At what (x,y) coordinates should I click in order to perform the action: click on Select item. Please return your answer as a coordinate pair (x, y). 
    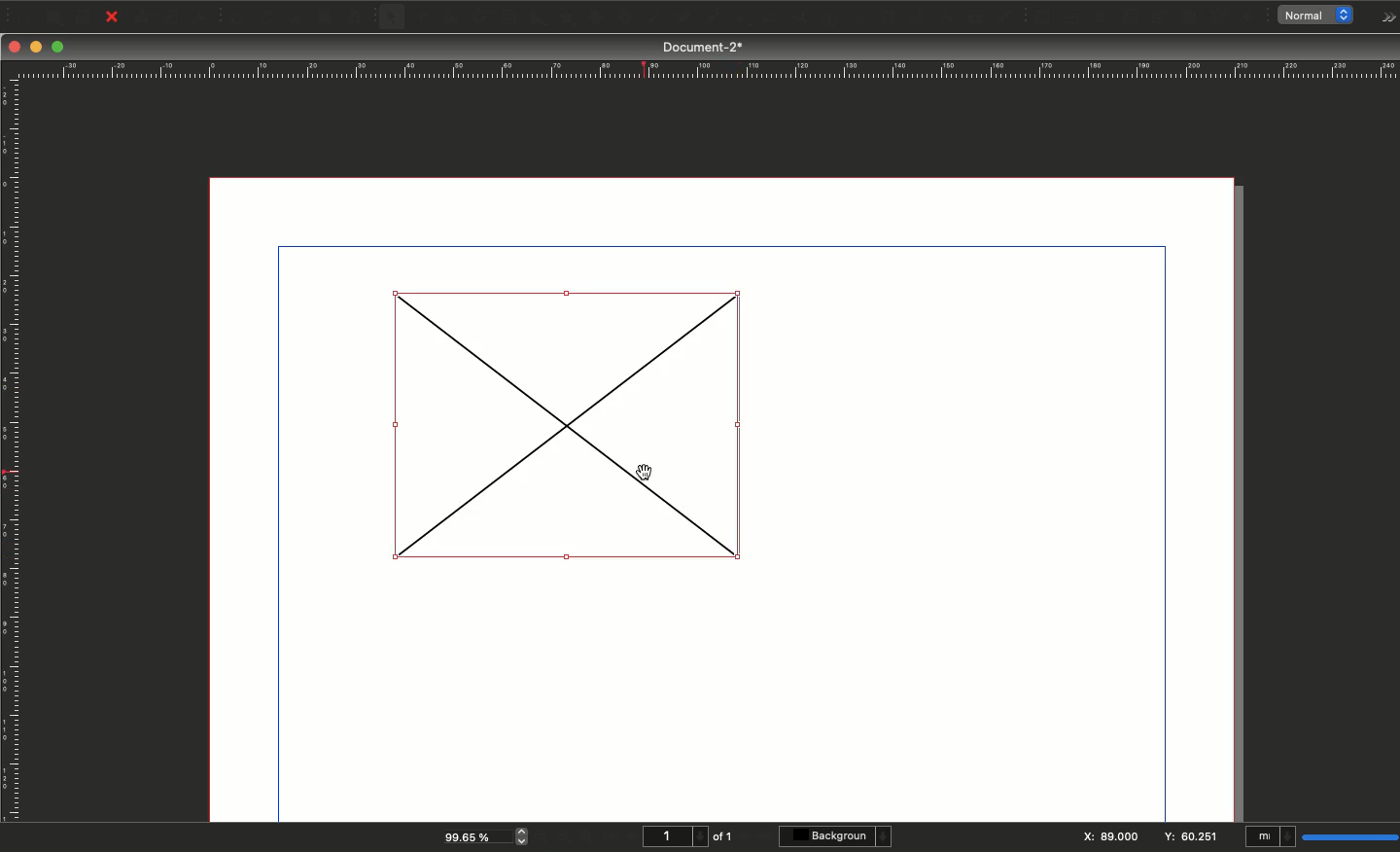
    Looking at the image, I should click on (393, 18).